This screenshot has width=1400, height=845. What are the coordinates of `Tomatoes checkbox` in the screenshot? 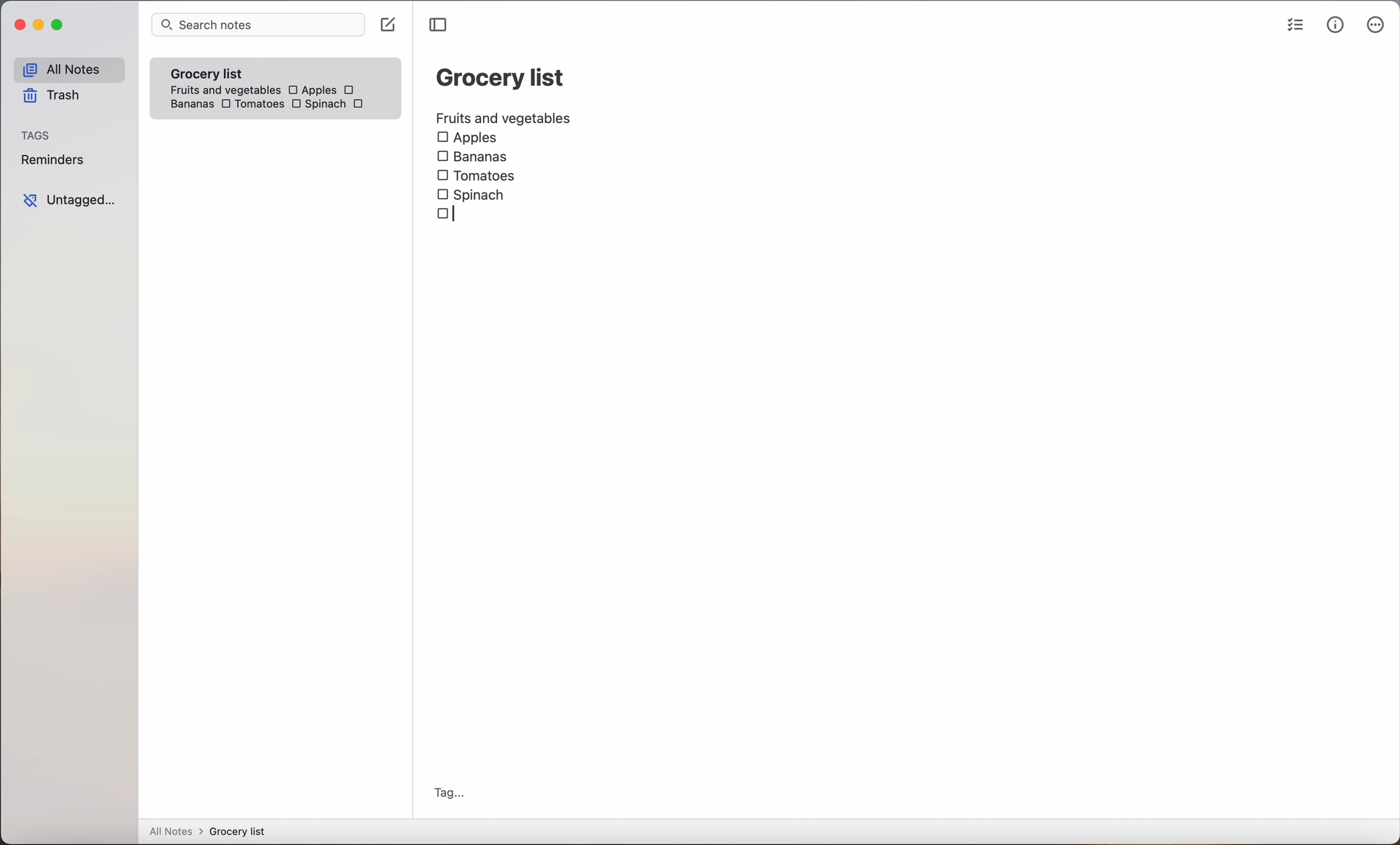 It's located at (476, 176).